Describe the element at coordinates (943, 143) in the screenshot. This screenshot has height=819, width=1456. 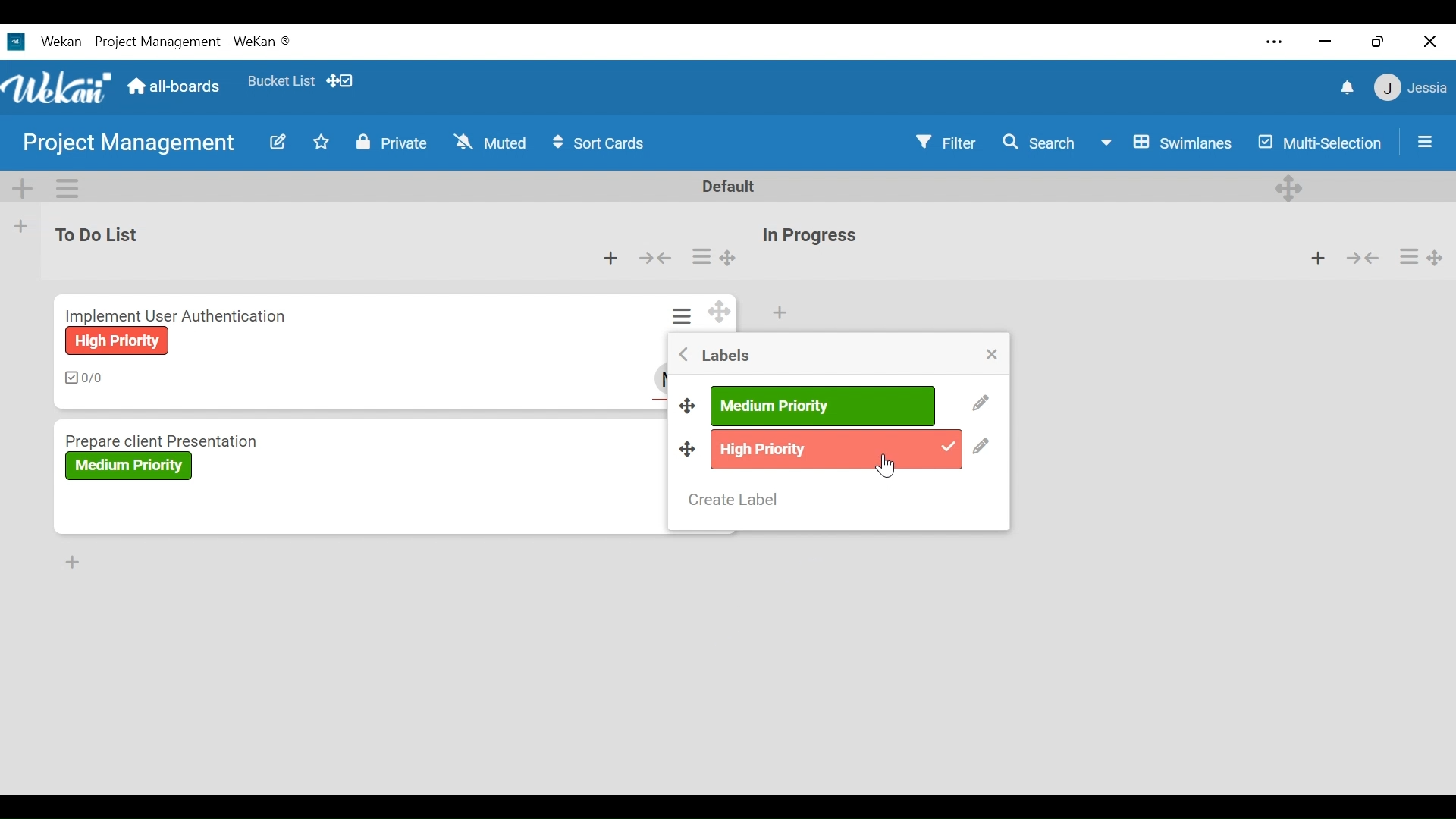
I see `Filter` at that location.